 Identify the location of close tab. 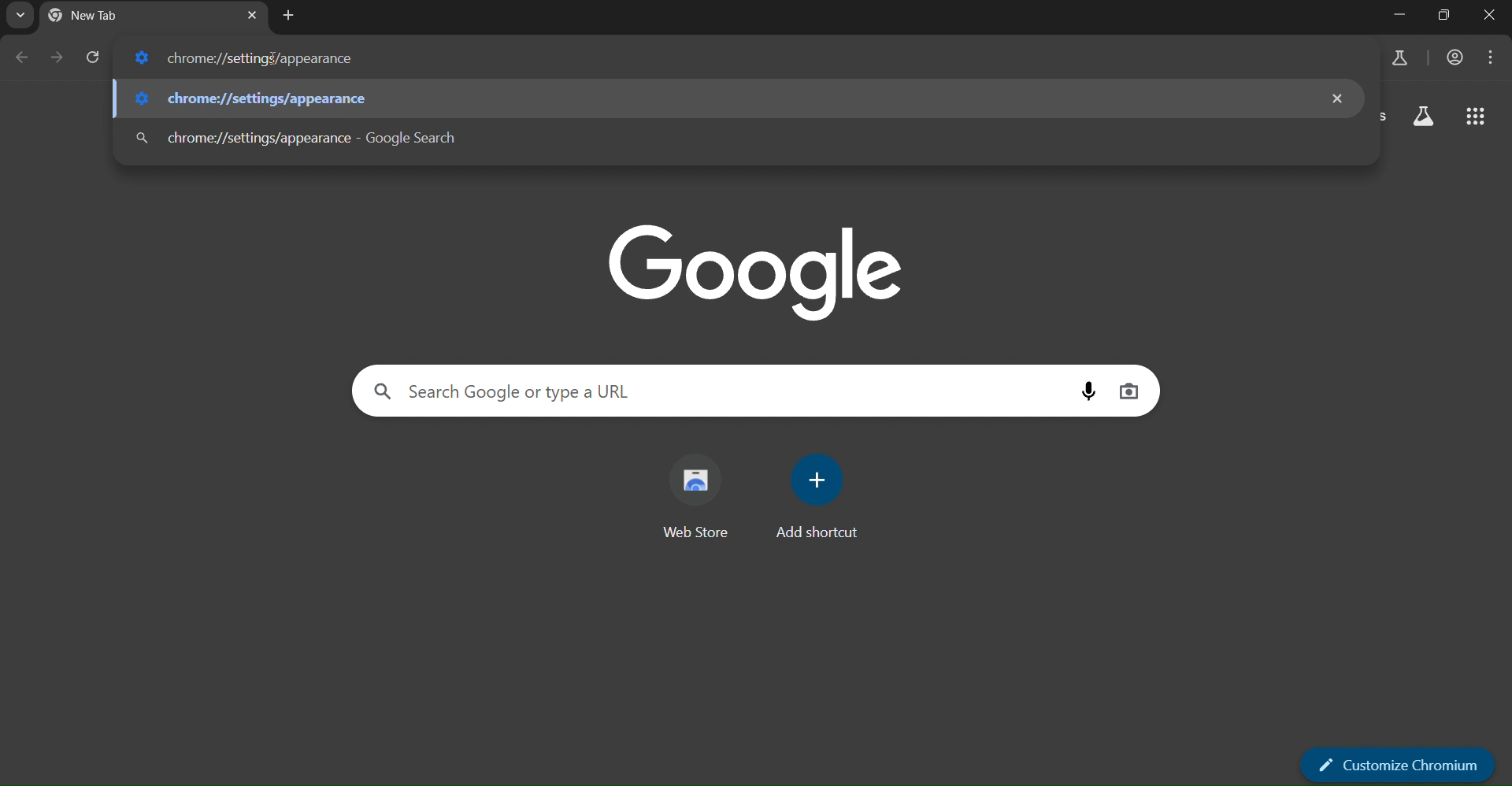
(252, 15).